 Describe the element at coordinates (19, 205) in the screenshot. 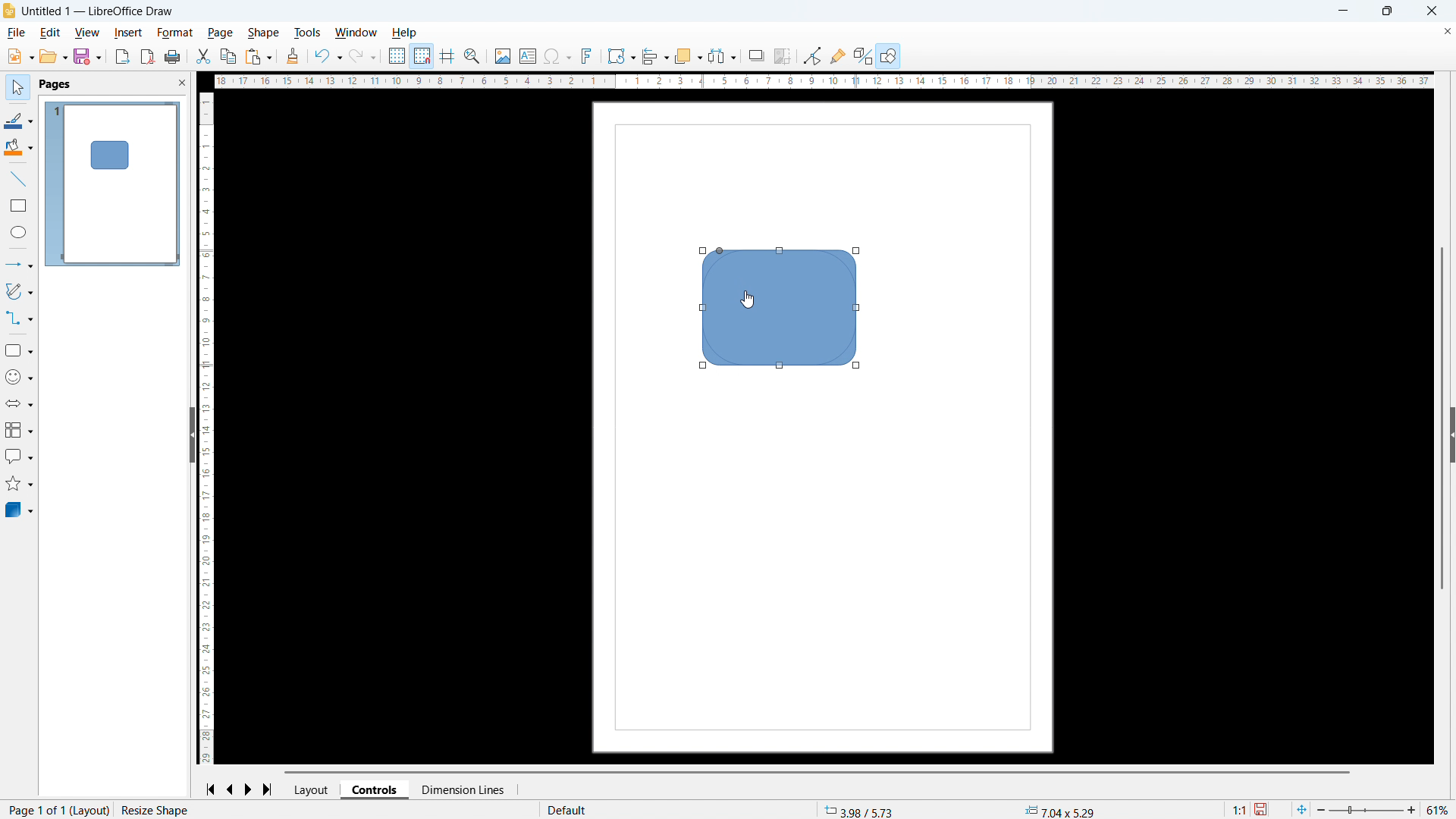

I see `Rectangle tool ` at that location.